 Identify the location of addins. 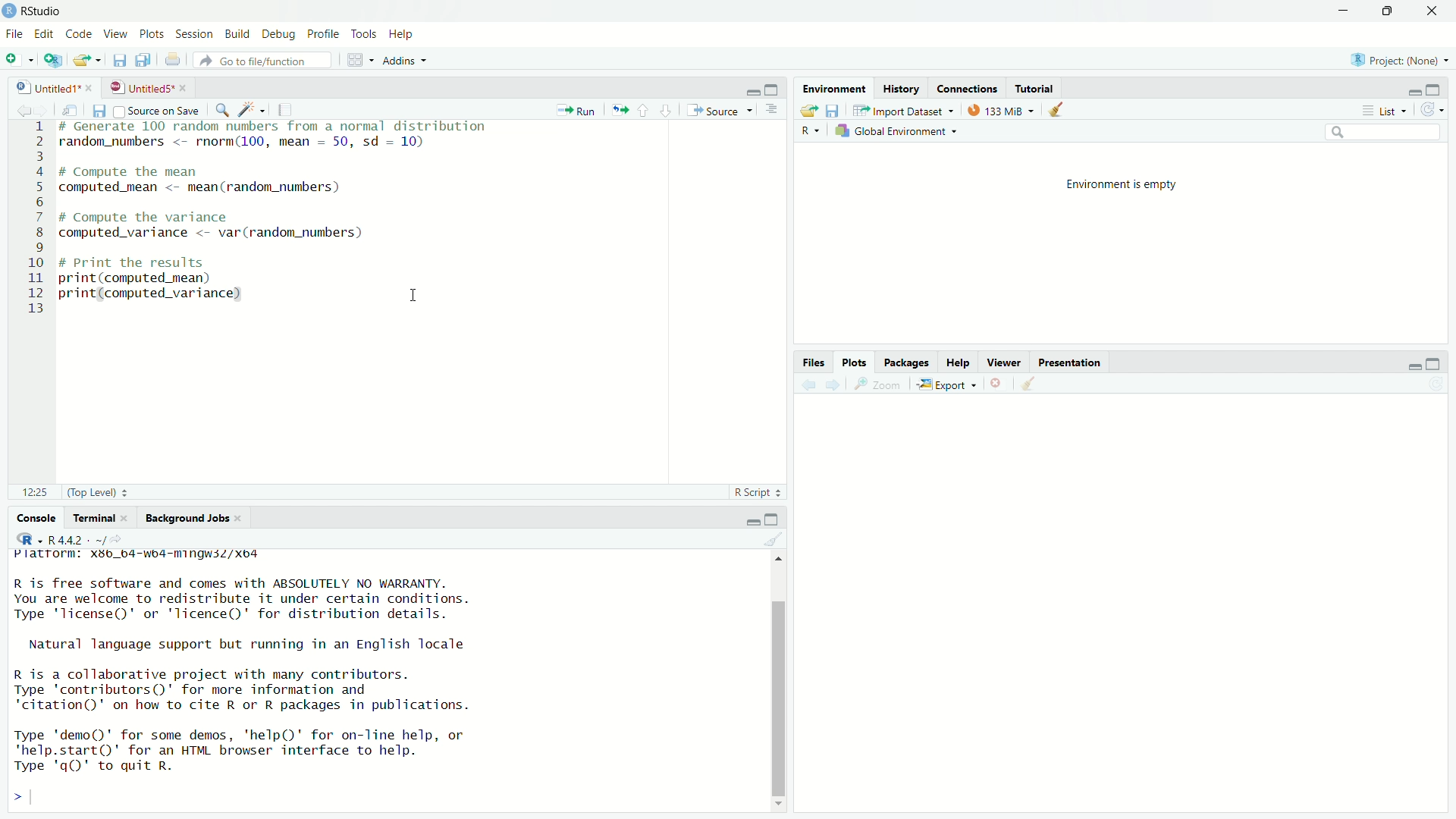
(405, 60).